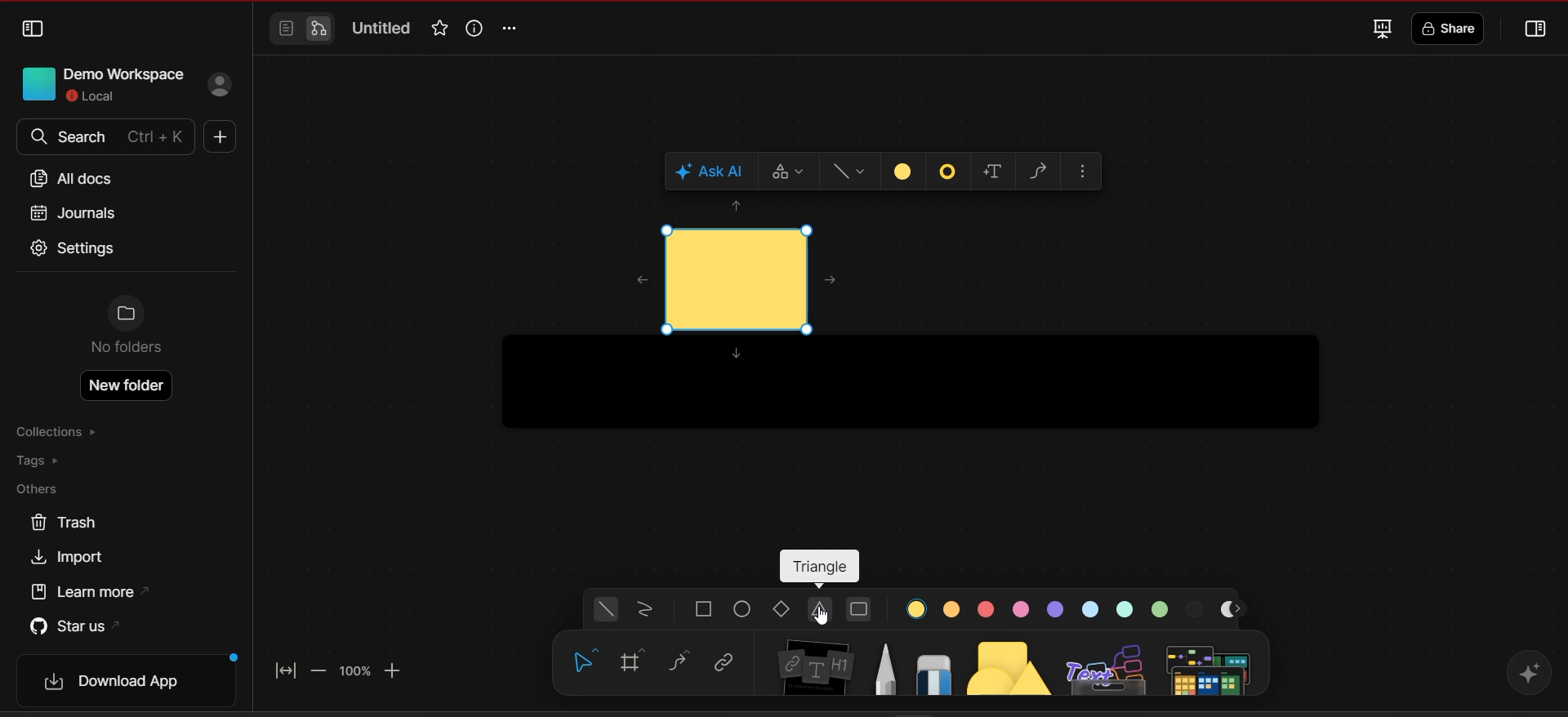 The height and width of the screenshot is (717, 1568). I want to click on eraser, so click(934, 670).